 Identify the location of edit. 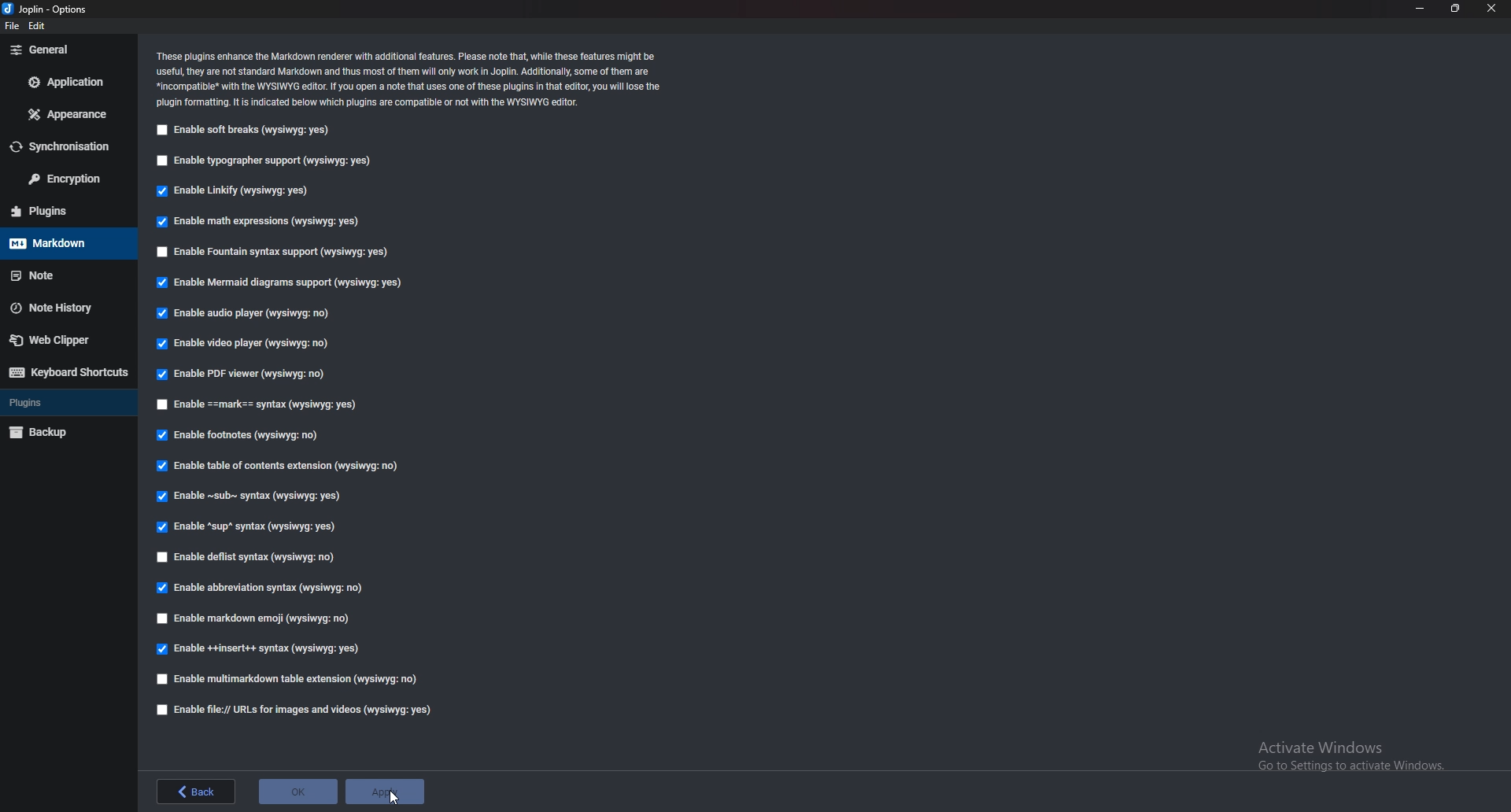
(40, 24).